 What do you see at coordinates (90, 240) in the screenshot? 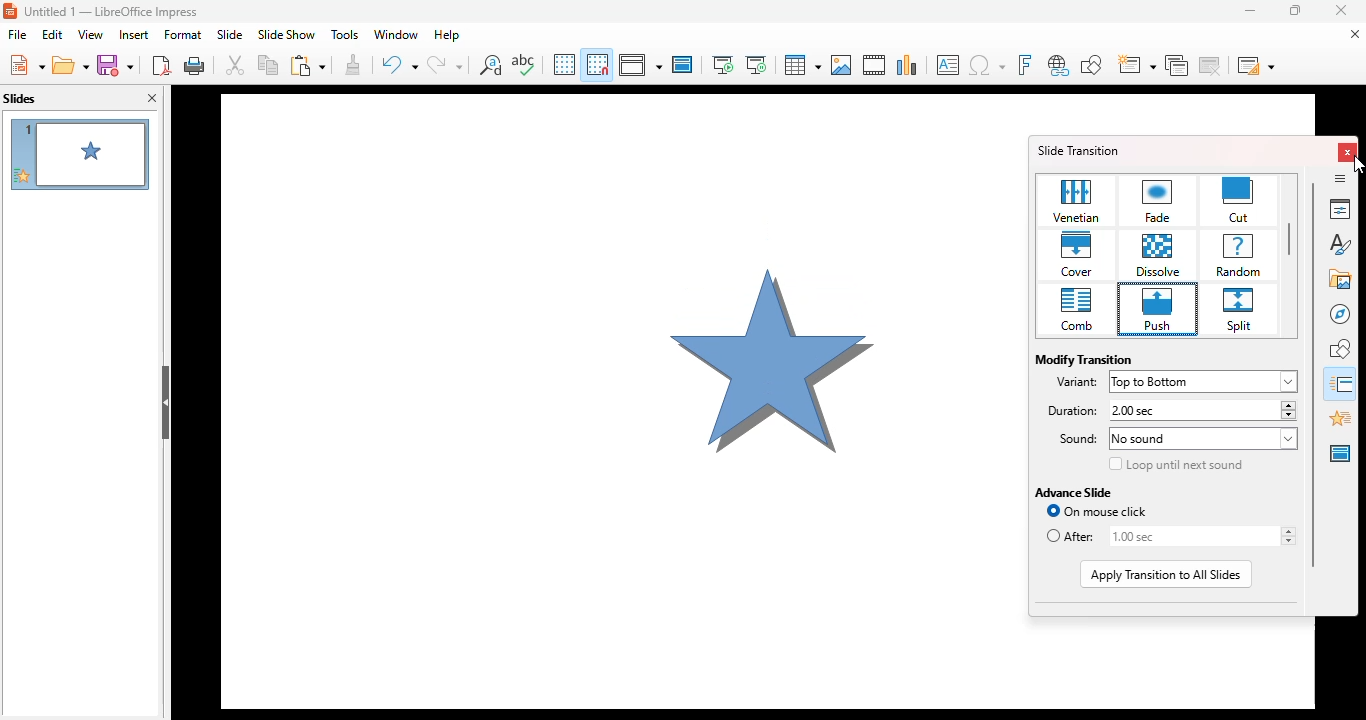
I see `title` at bounding box center [90, 240].